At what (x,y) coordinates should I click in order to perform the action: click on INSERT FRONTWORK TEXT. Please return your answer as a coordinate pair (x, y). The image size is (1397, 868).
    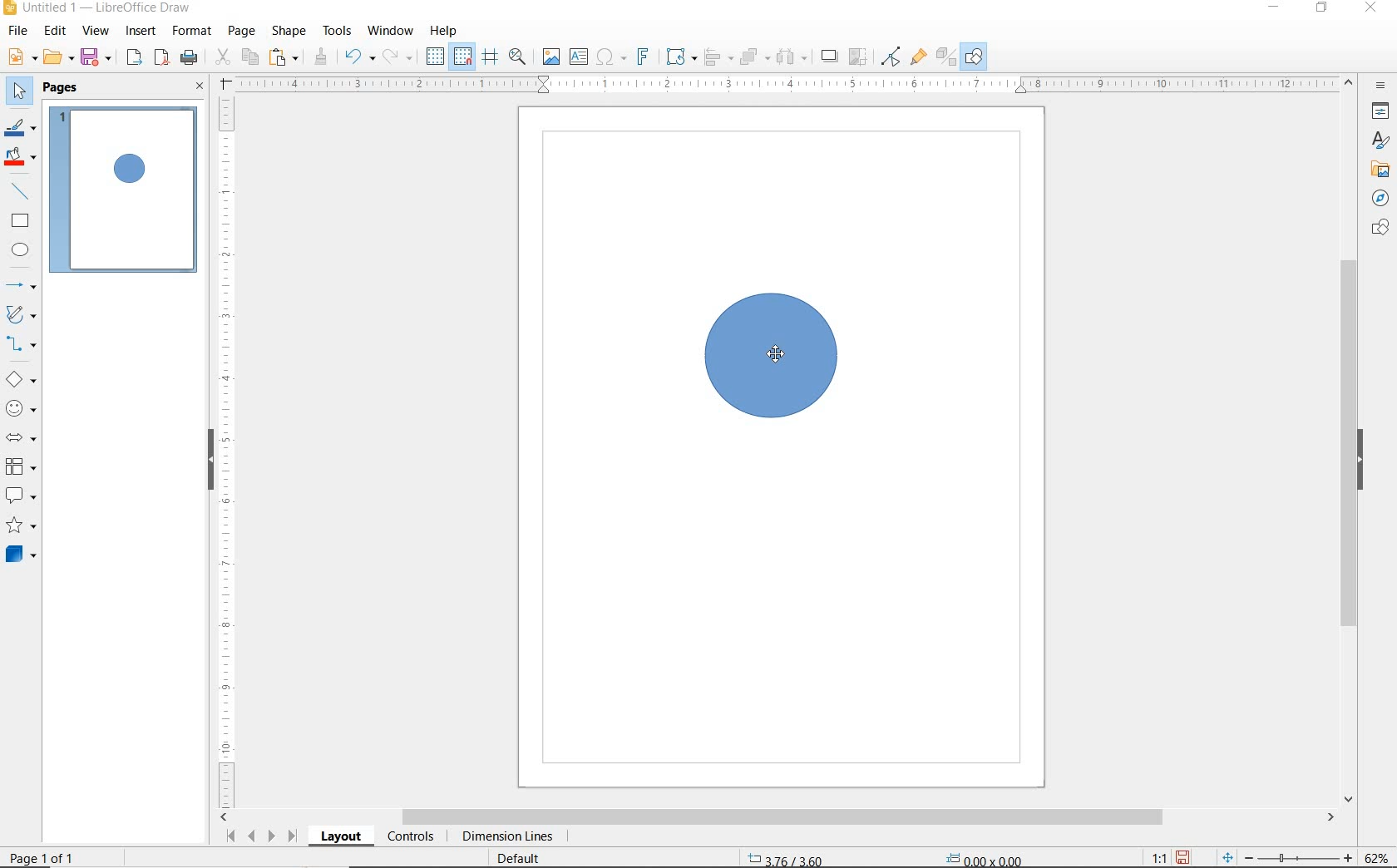
    Looking at the image, I should click on (647, 57).